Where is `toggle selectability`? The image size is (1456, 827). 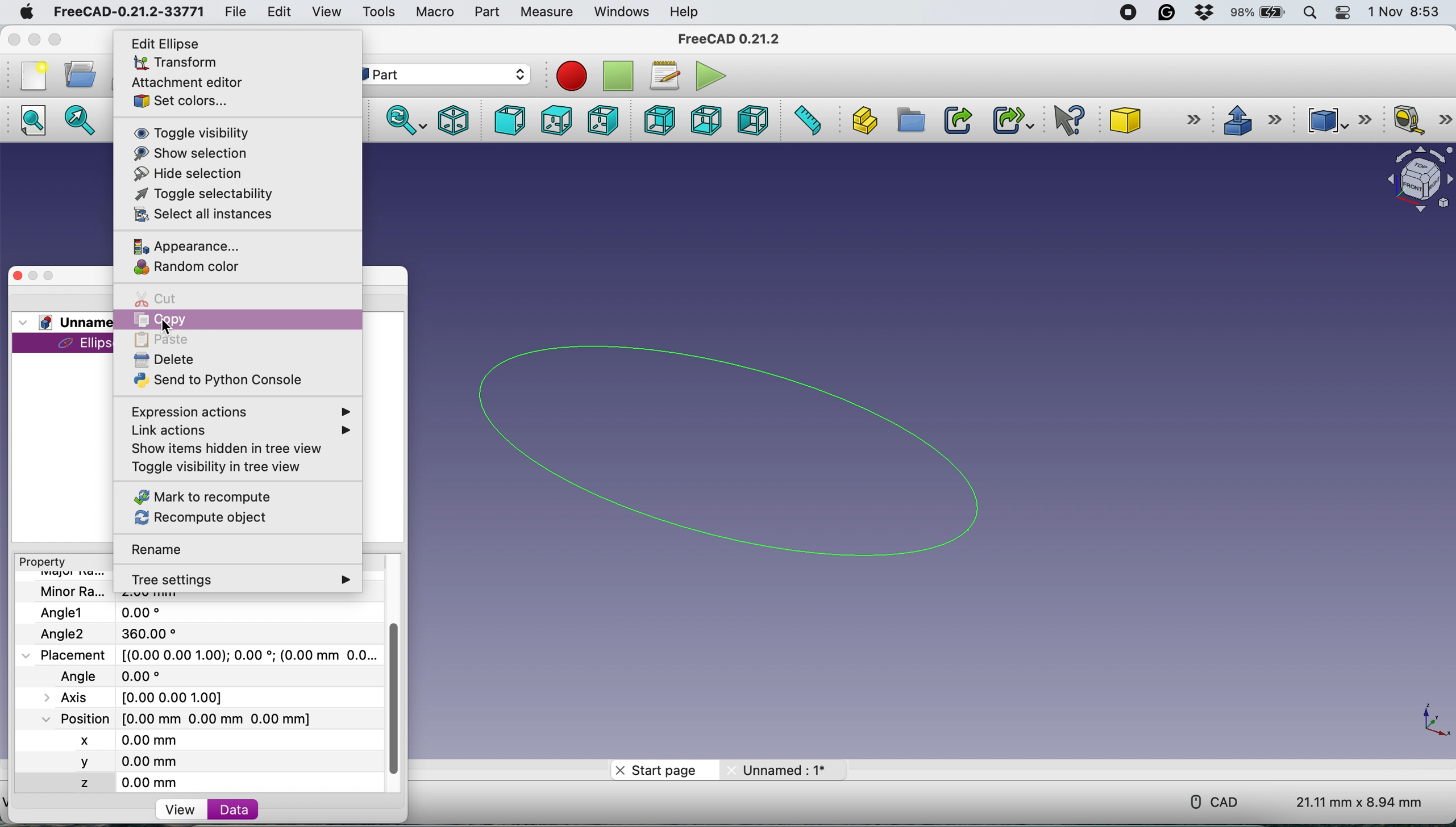
toggle selectability is located at coordinates (201, 195).